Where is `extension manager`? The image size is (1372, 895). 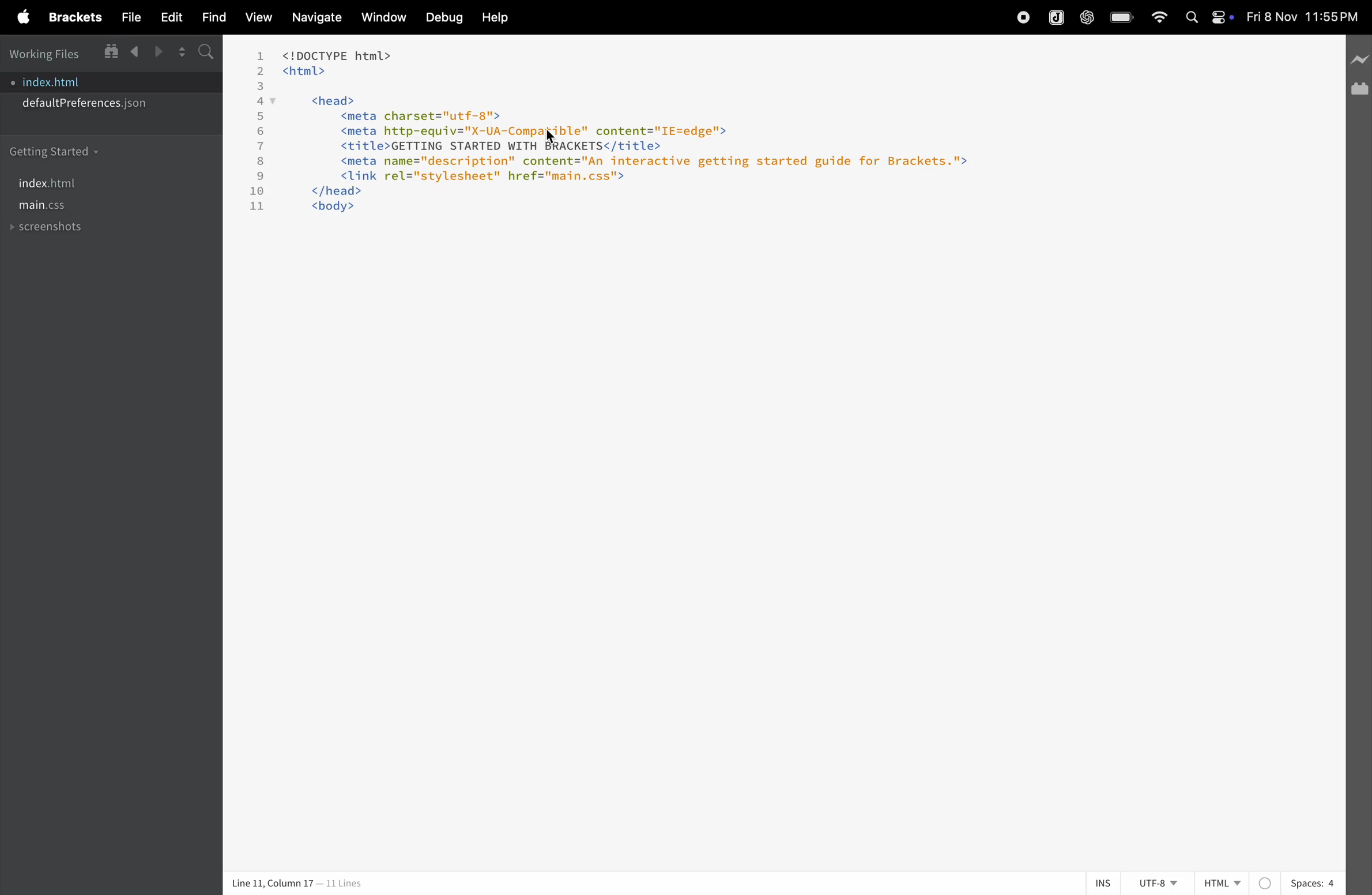 extension manager is located at coordinates (1359, 92).